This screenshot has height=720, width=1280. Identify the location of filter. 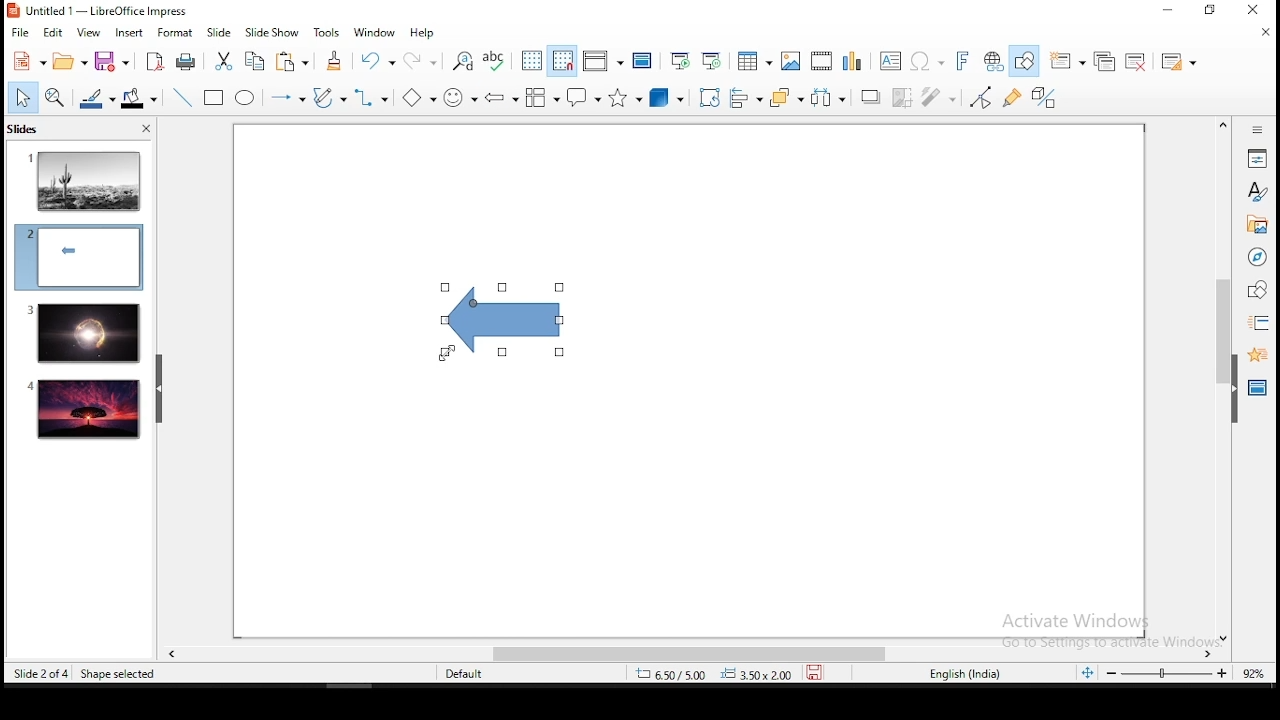
(939, 97).